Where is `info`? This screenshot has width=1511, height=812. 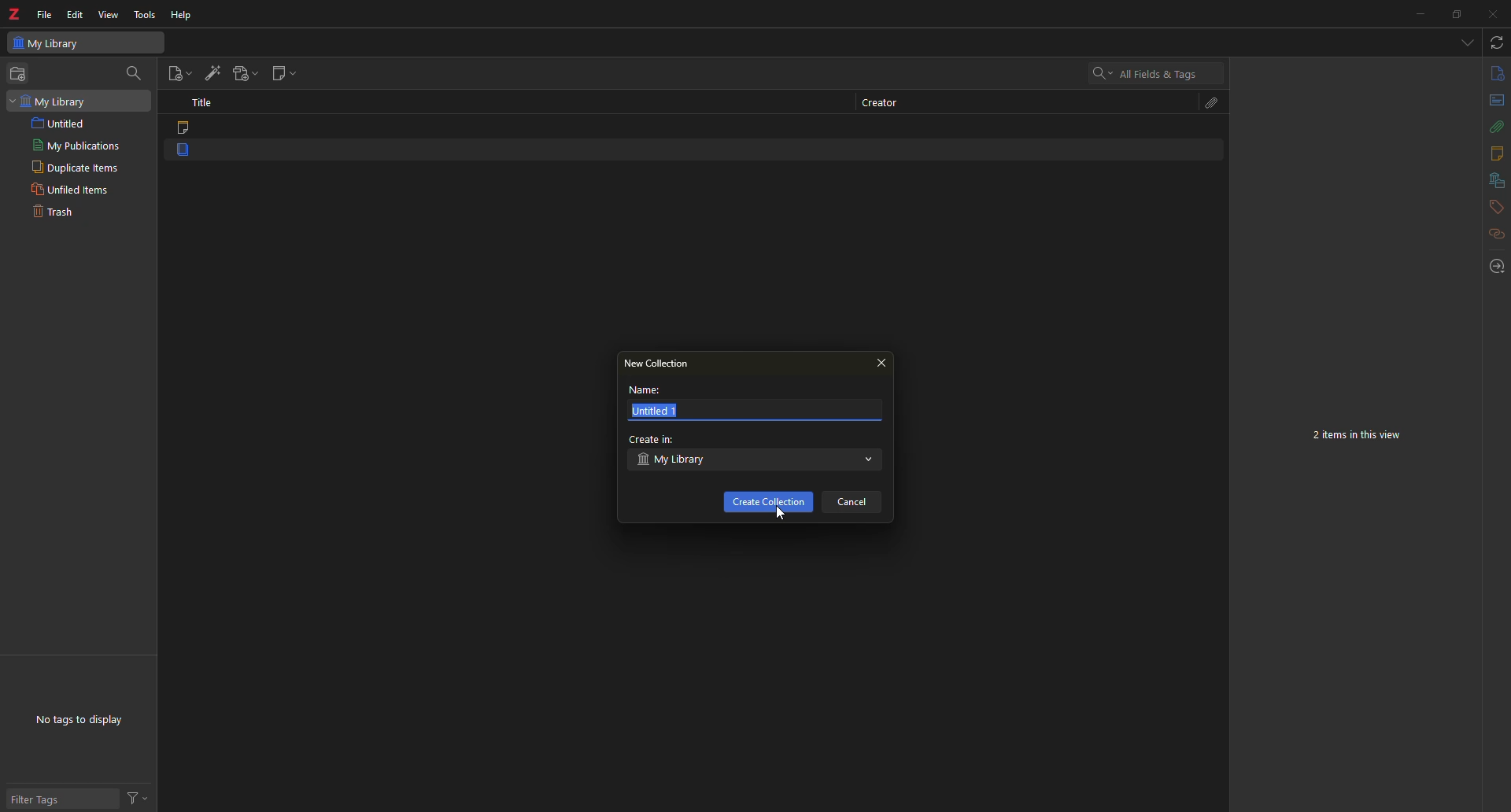 info is located at coordinates (1494, 75).